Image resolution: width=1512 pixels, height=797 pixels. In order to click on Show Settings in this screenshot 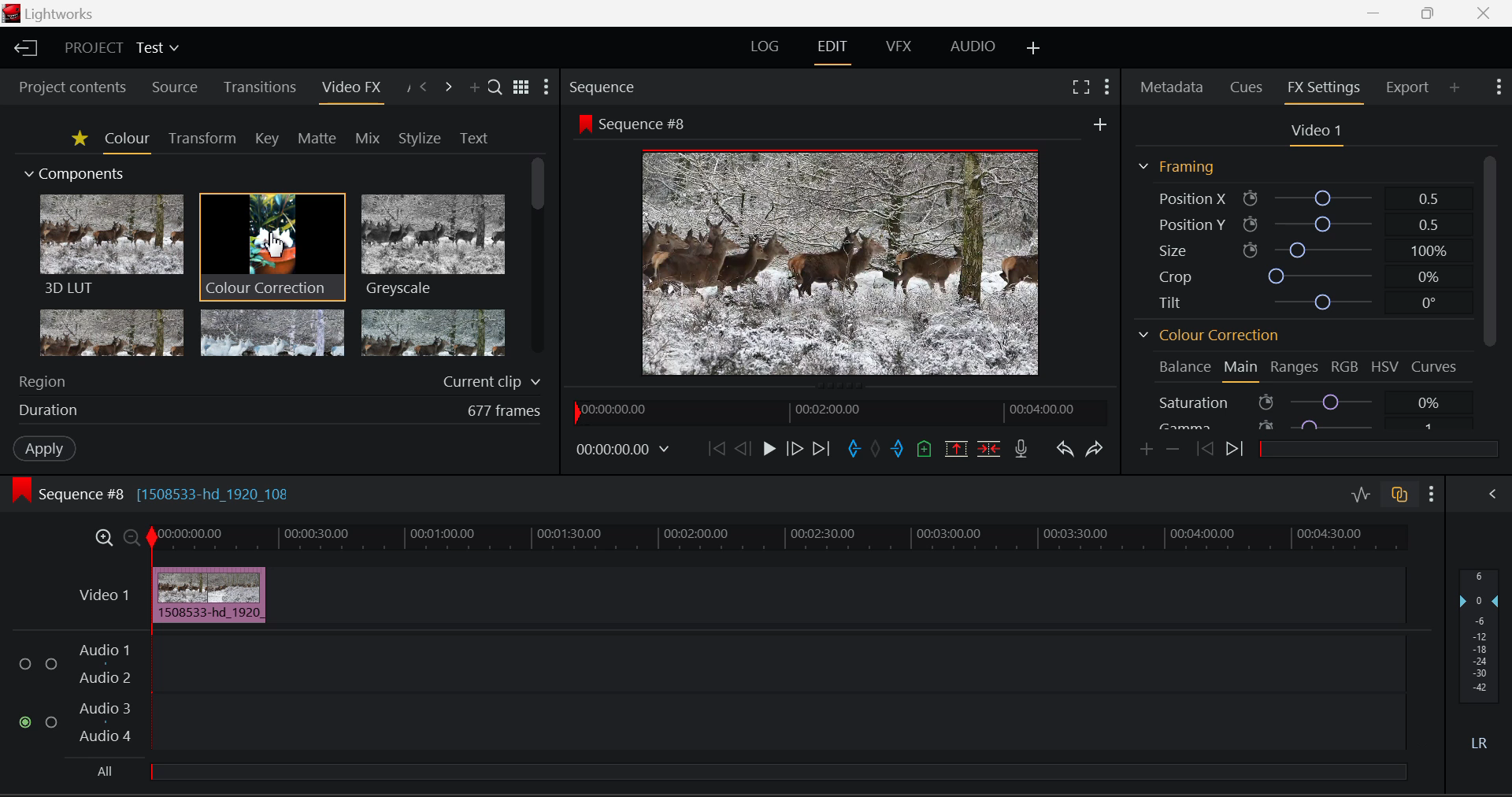, I will do `click(1432, 495)`.